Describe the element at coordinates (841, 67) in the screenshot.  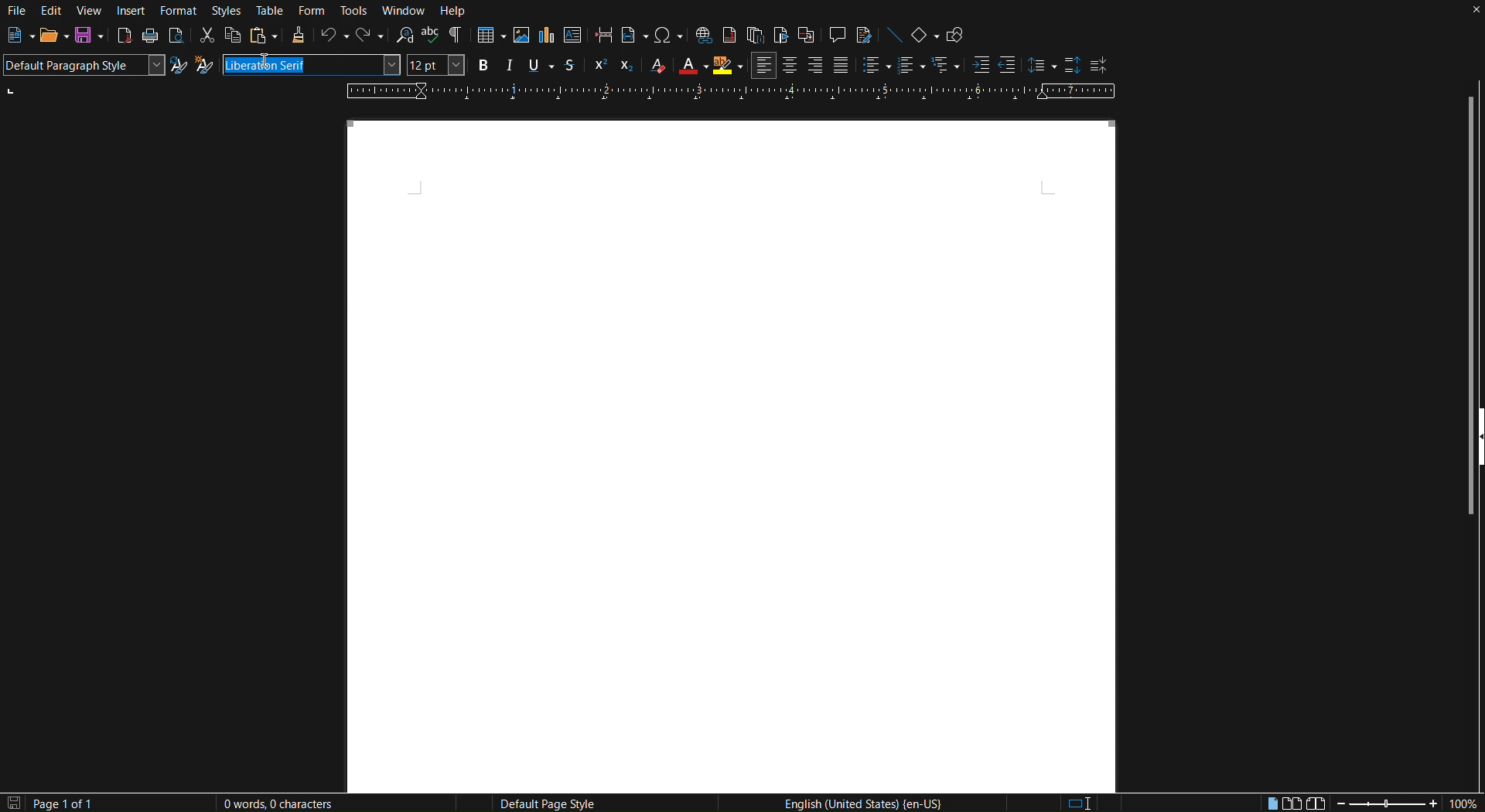
I see `Justify` at that location.